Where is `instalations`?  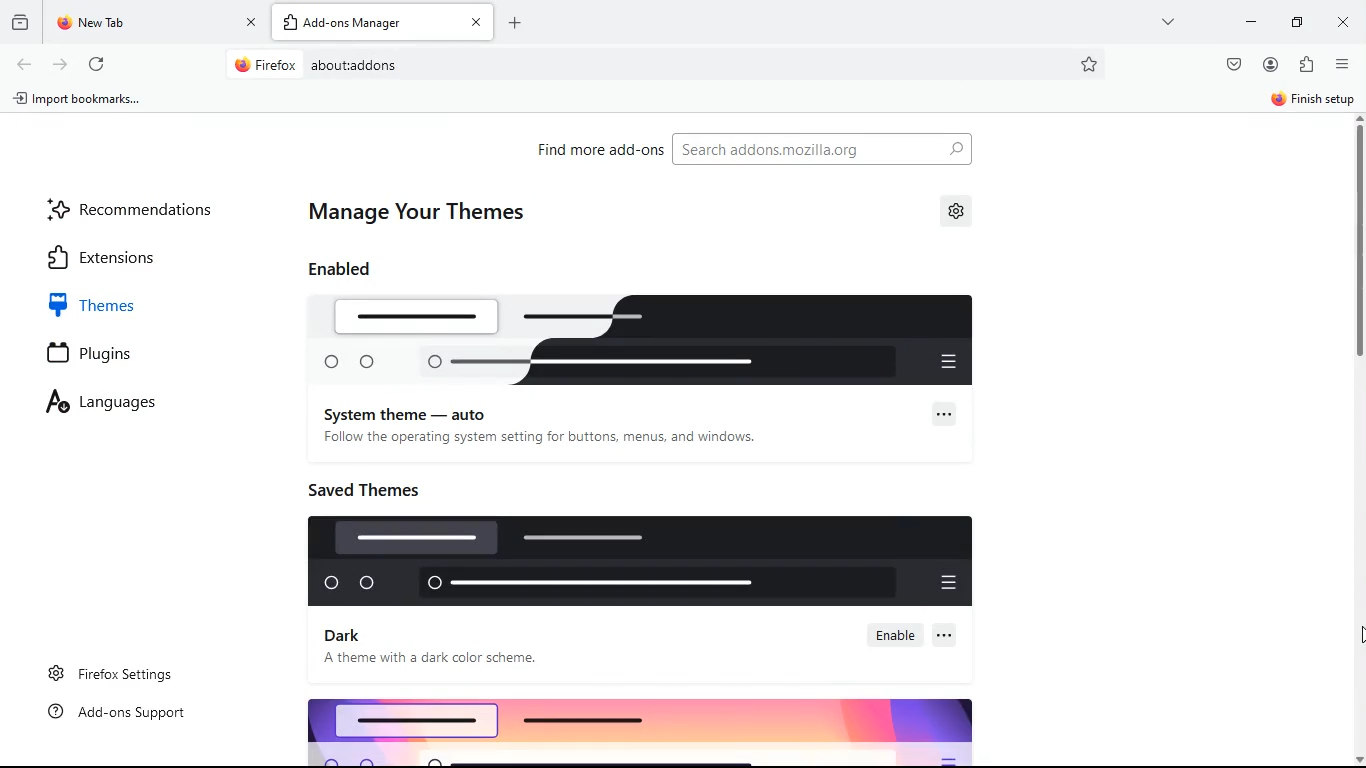
instalations is located at coordinates (1306, 66).